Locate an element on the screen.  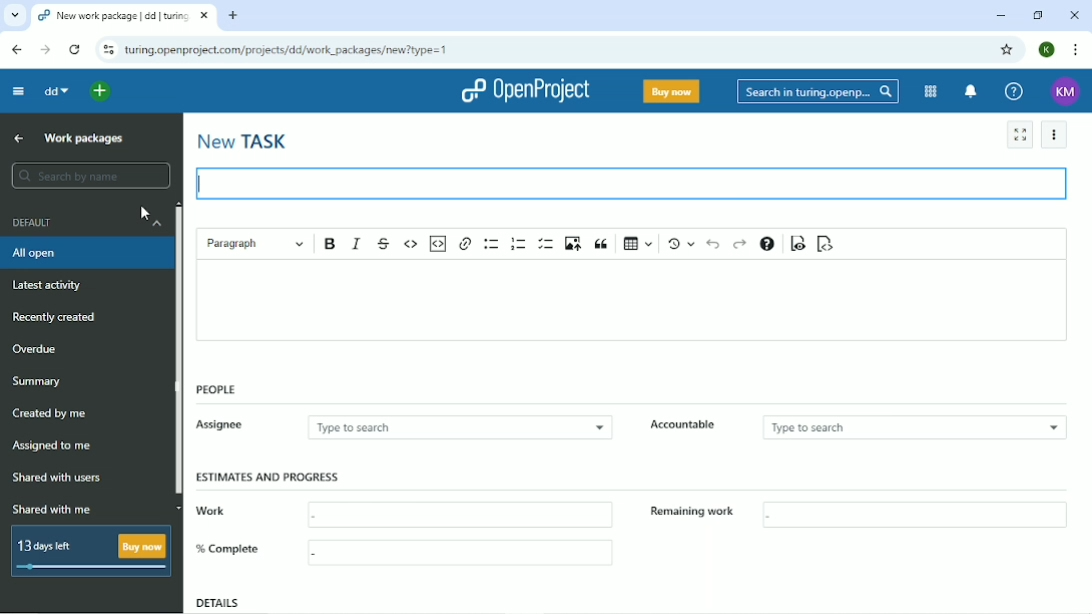
Default is located at coordinates (85, 226).